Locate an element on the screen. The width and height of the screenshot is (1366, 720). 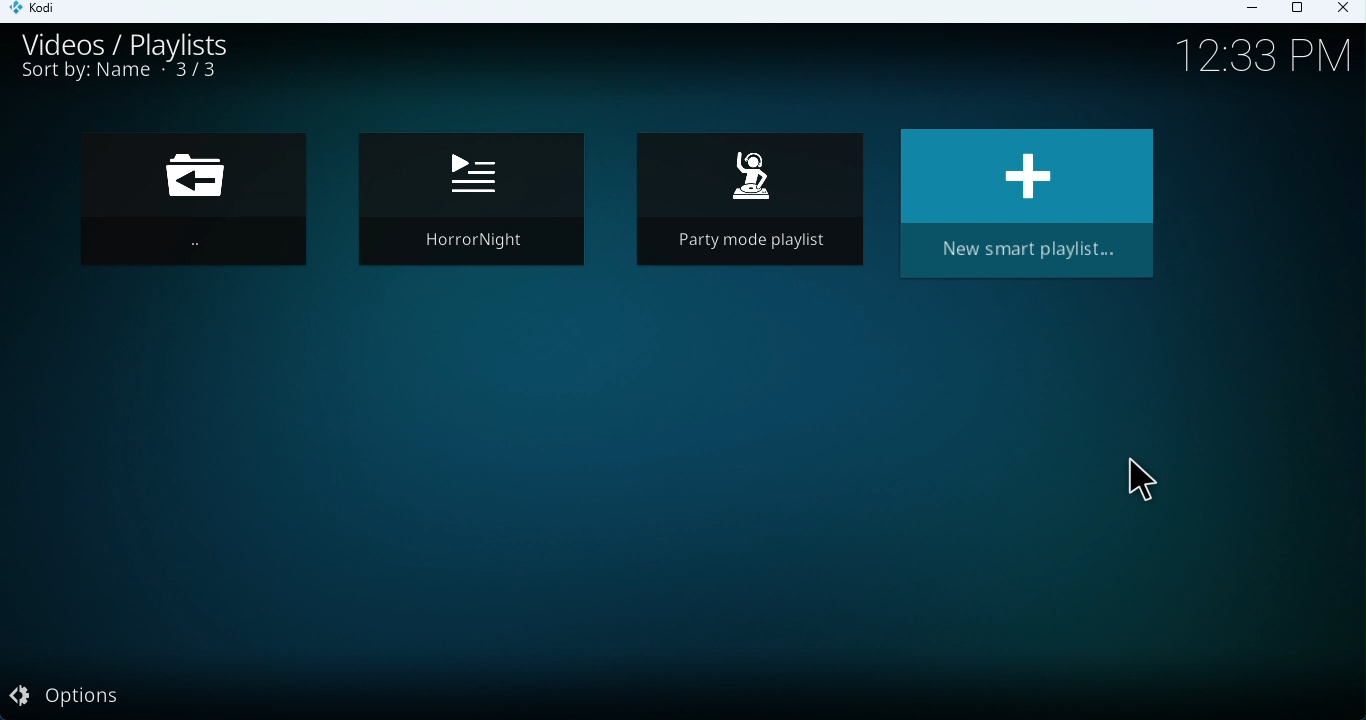
Browse is located at coordinates (200, 202).